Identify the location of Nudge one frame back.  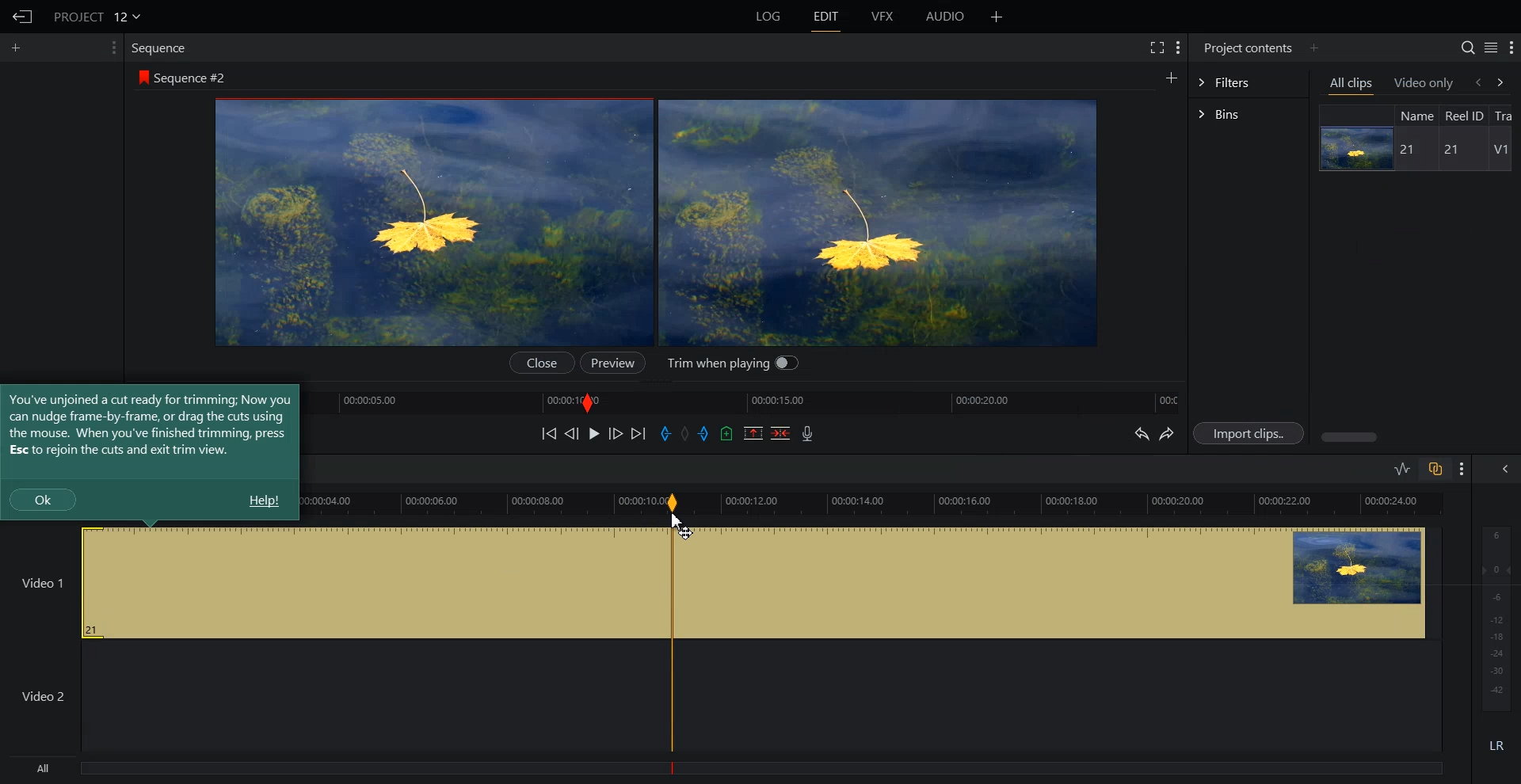
(572, 433).